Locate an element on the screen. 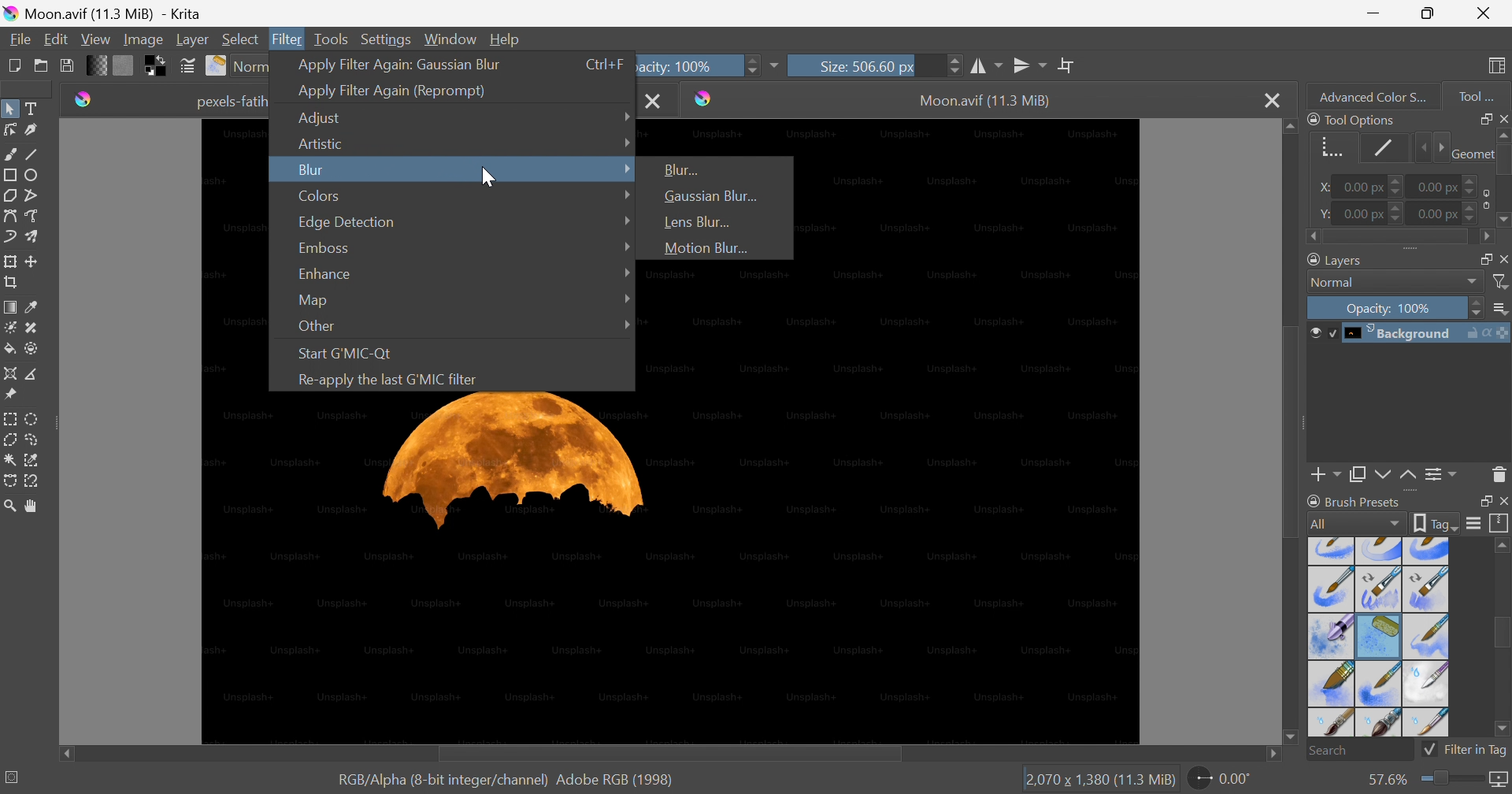  Restore down is located at coordinates (1480, 500).